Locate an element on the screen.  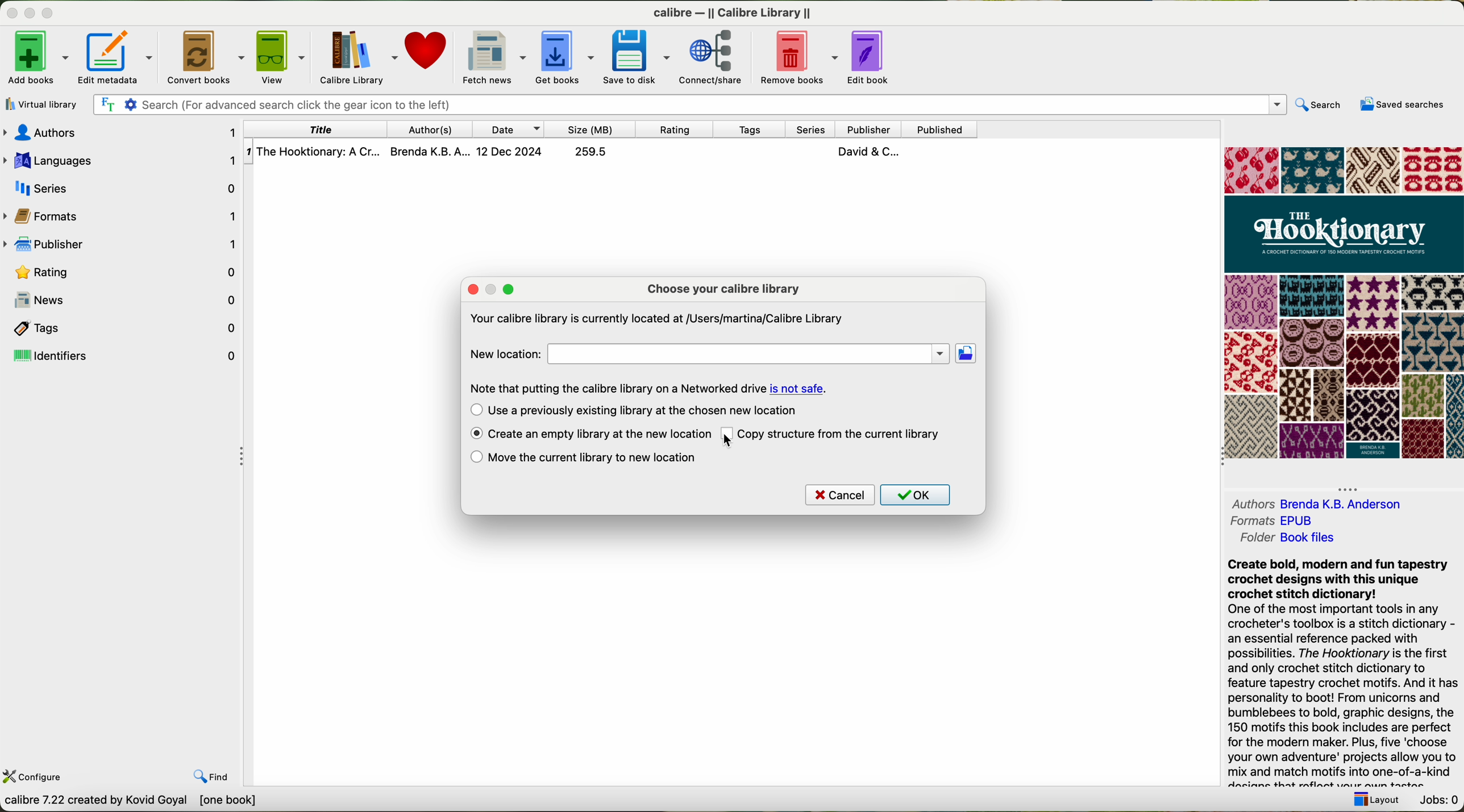
series is located at coordinates (122, 186).